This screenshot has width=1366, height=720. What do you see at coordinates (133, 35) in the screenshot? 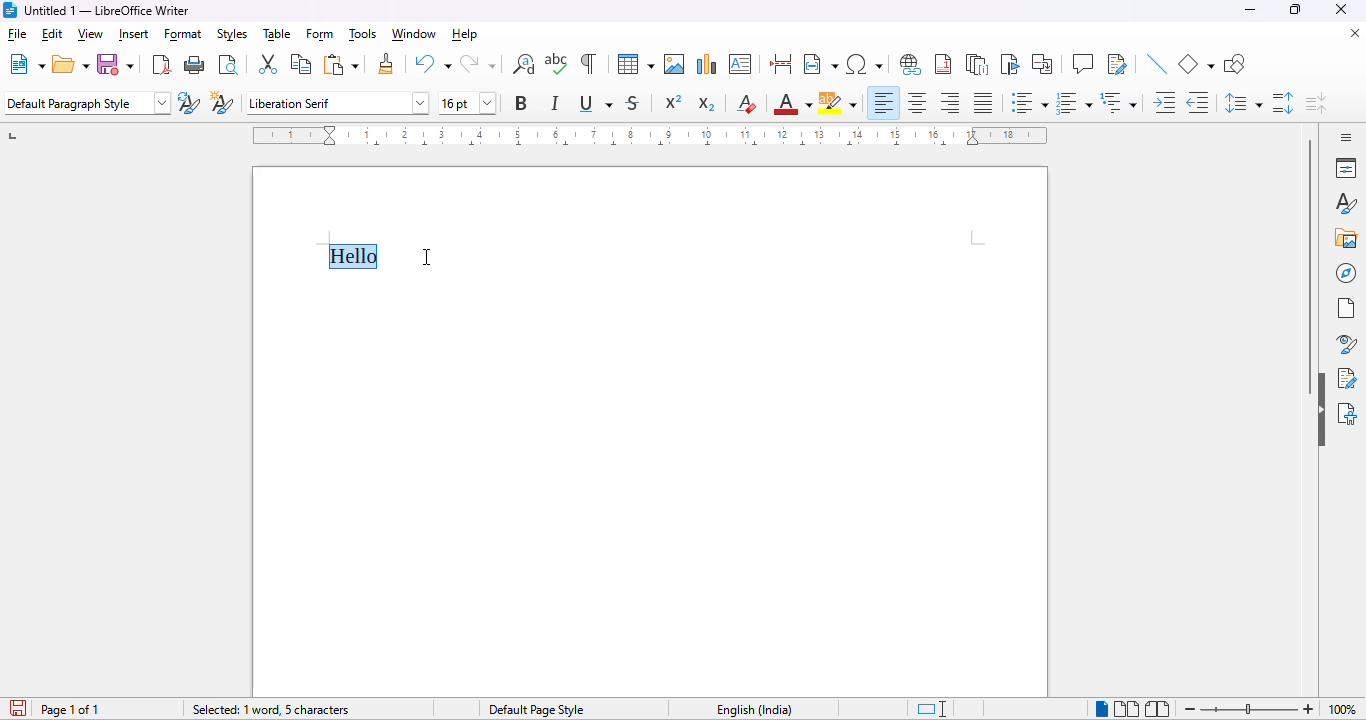
I see `insert` at bounding box center [133, 35].